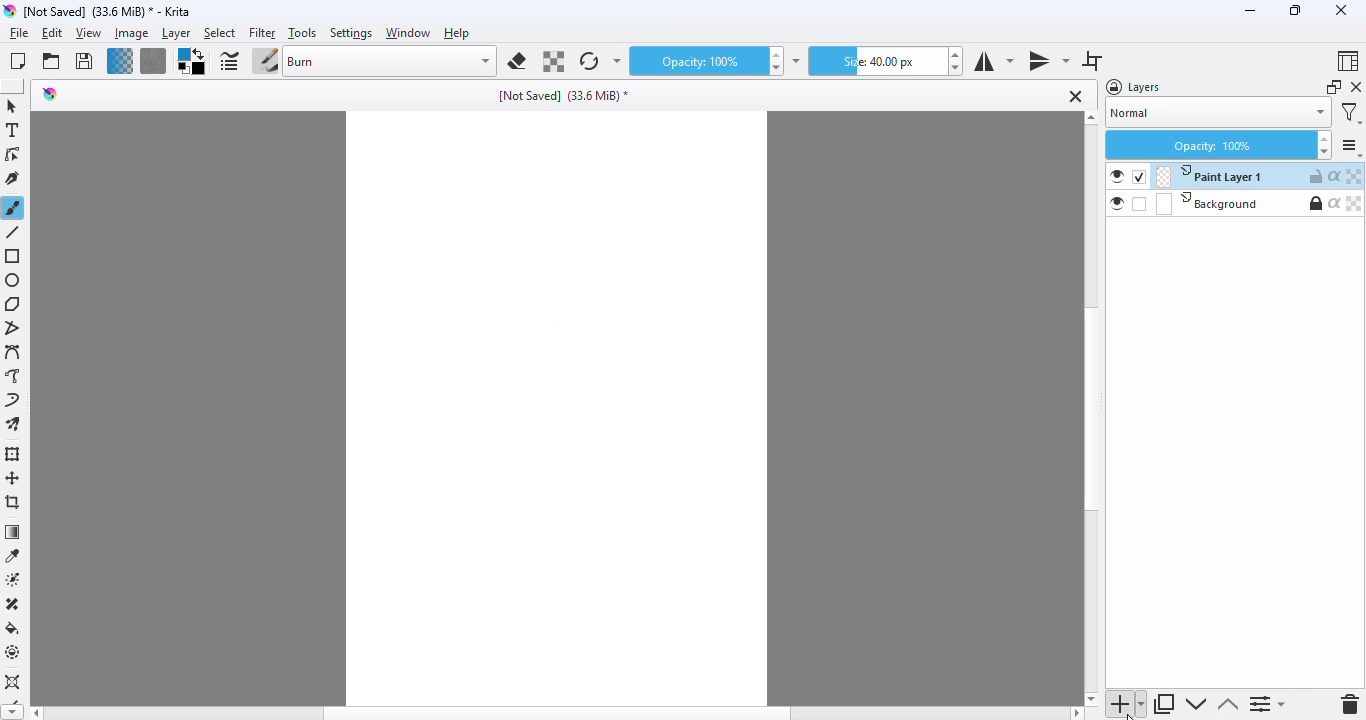 The image size is (1366, 720). Describe the element at coordinates (34, 713) in the screenshot. I see `scroll left` at that location.